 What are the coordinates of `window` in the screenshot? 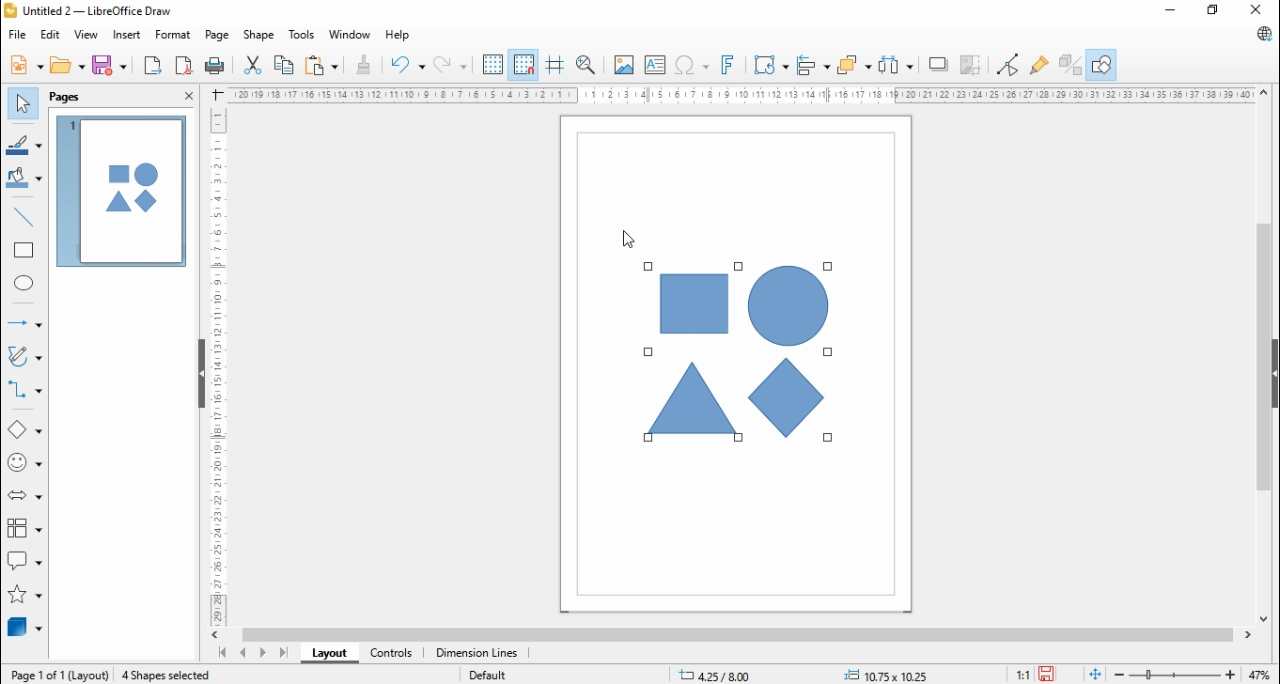 It's located at (351, 34).